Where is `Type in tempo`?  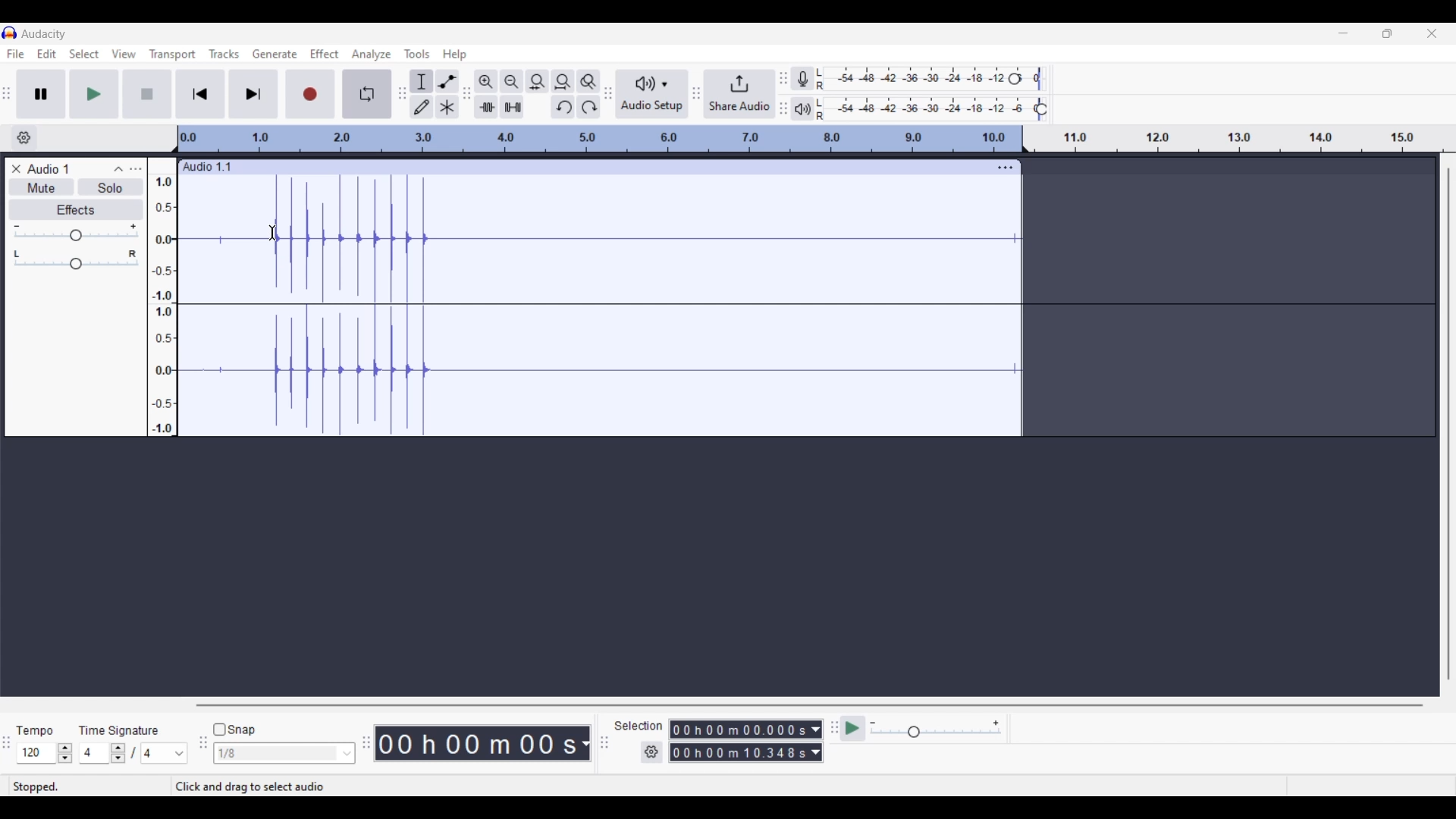 Type in tempo is located at coordinates (37, 753).